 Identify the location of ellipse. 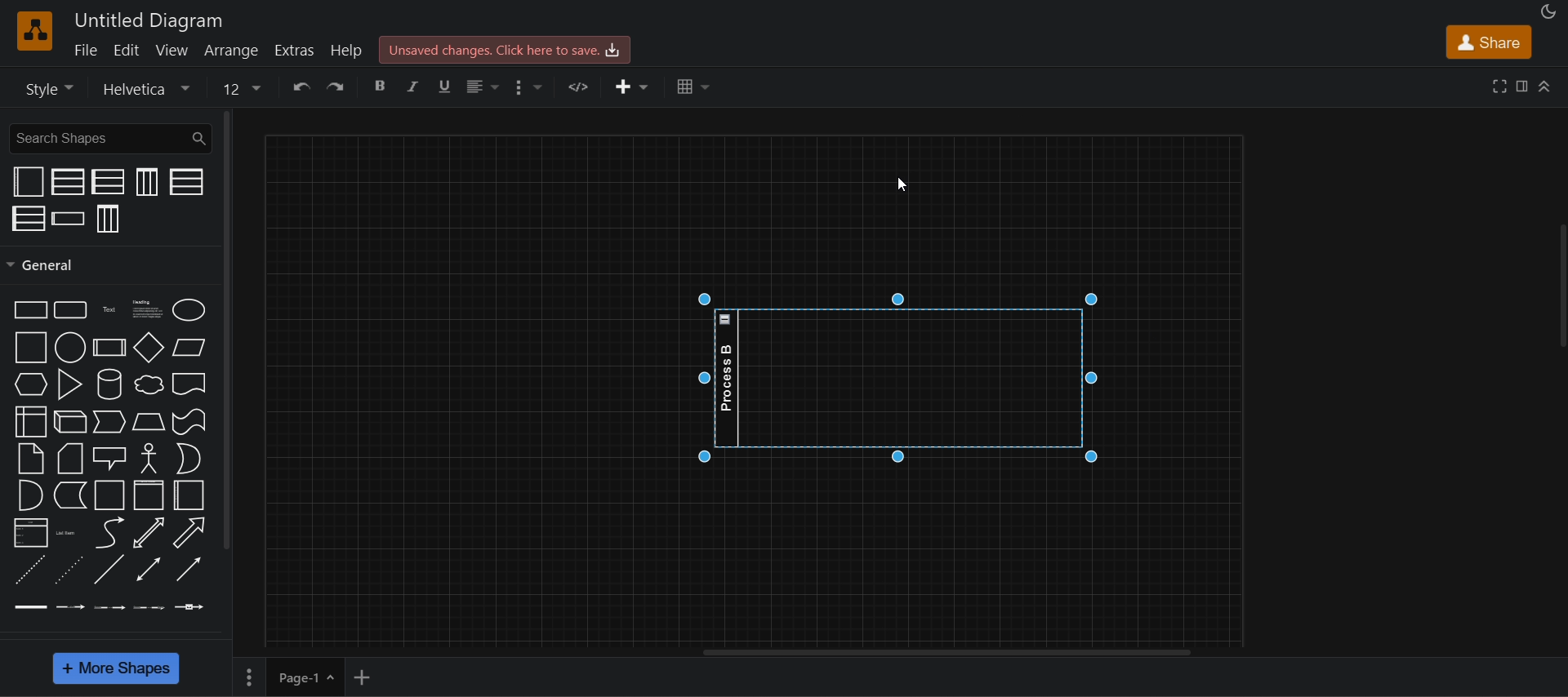
(189, 309).